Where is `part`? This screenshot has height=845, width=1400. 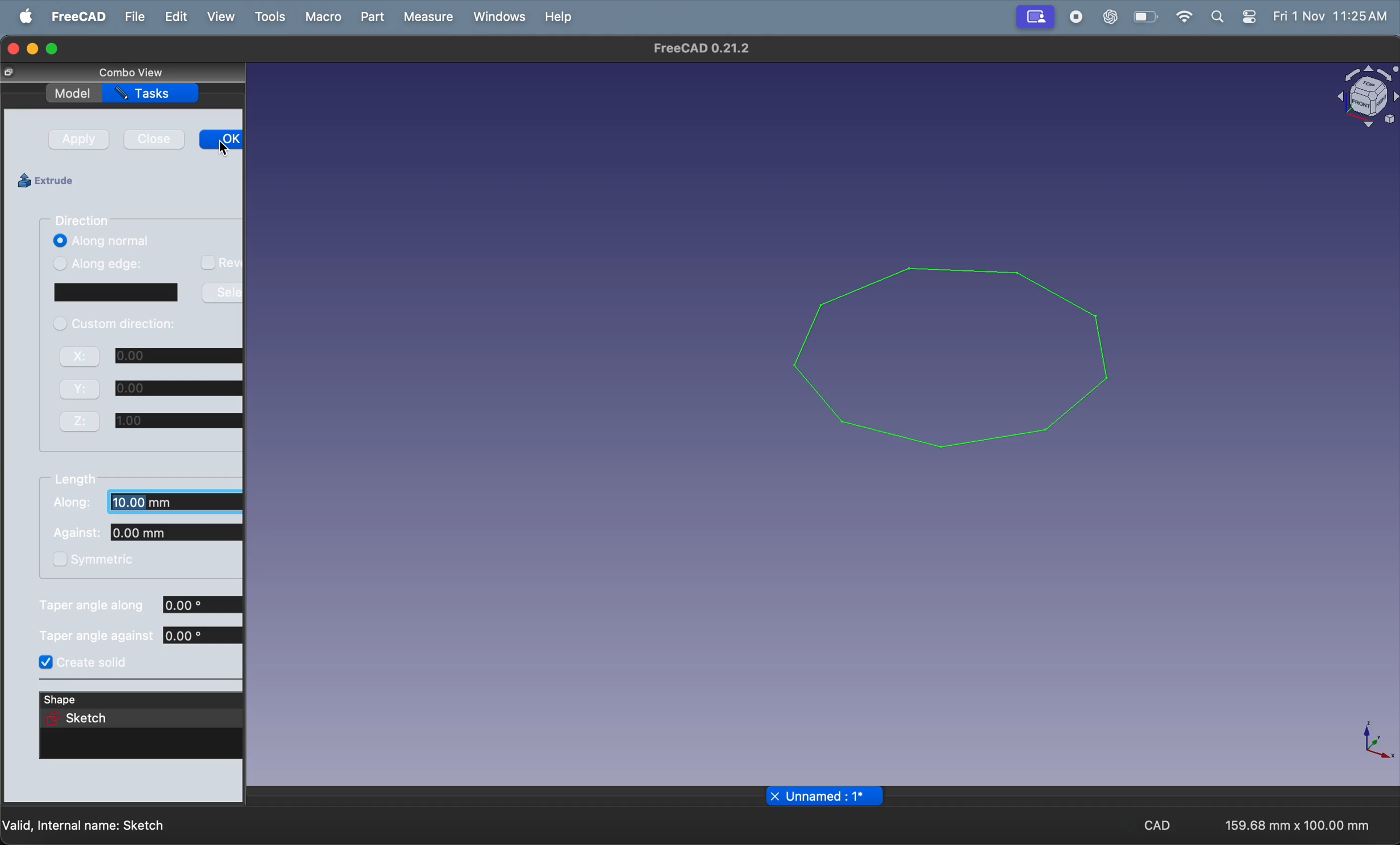 part is located at coordinates (370, 18).